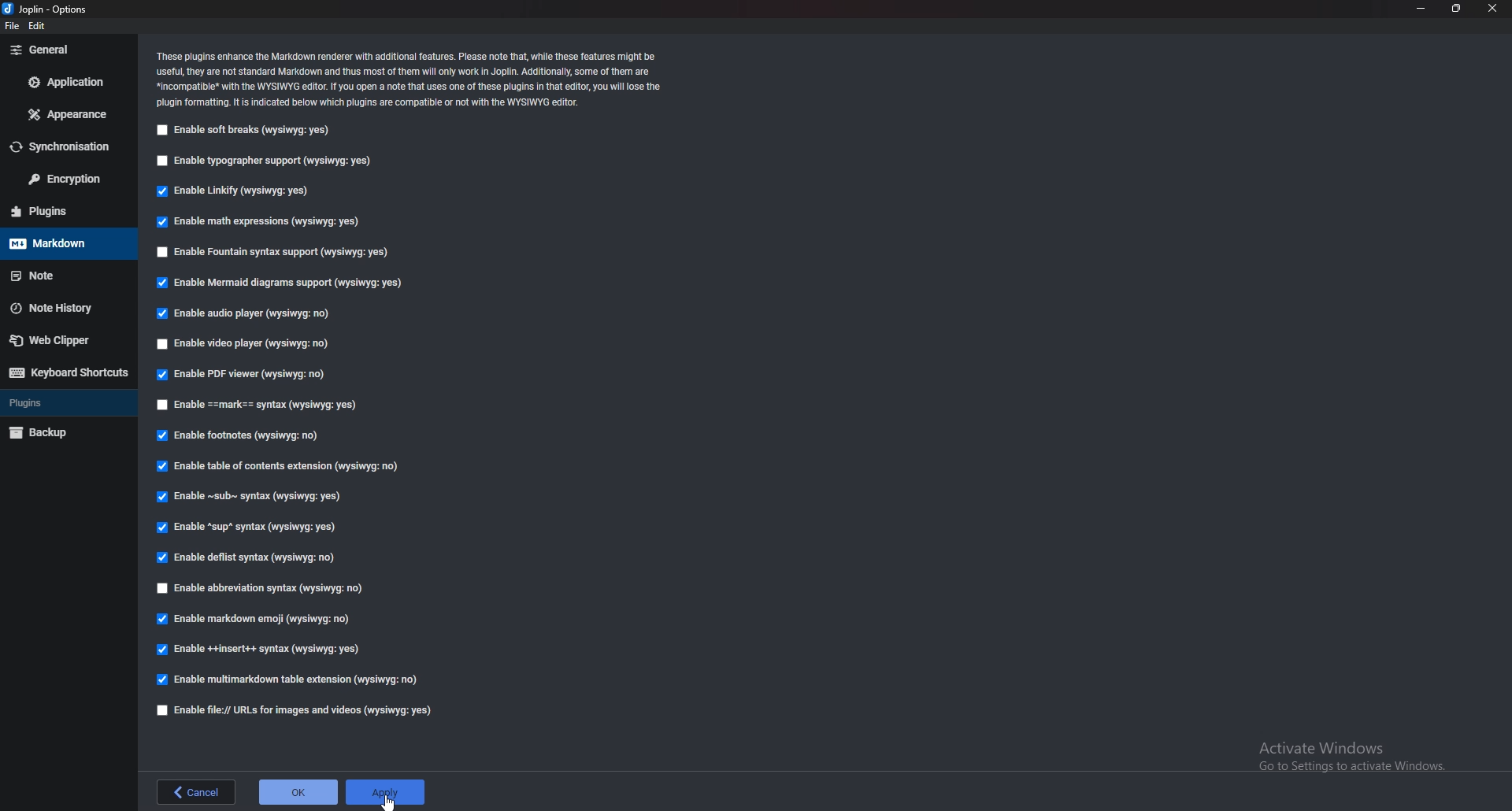 The width and height of the screenshot is (1512, 811). I want to click on file, so click(15, 24).